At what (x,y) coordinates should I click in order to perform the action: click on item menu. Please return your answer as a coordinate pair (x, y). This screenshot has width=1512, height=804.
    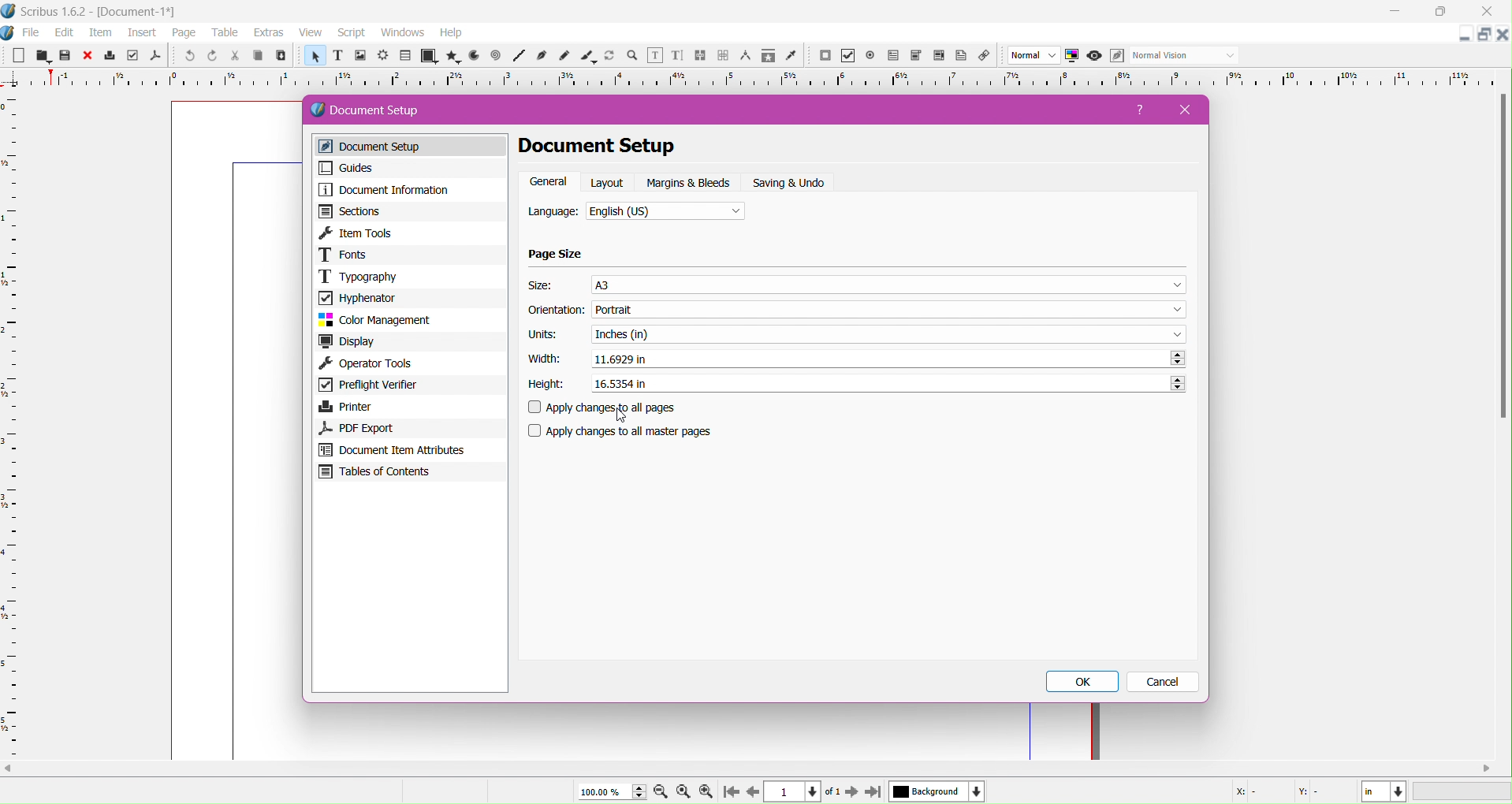
    Looking at the image, I should click on (102, 34).